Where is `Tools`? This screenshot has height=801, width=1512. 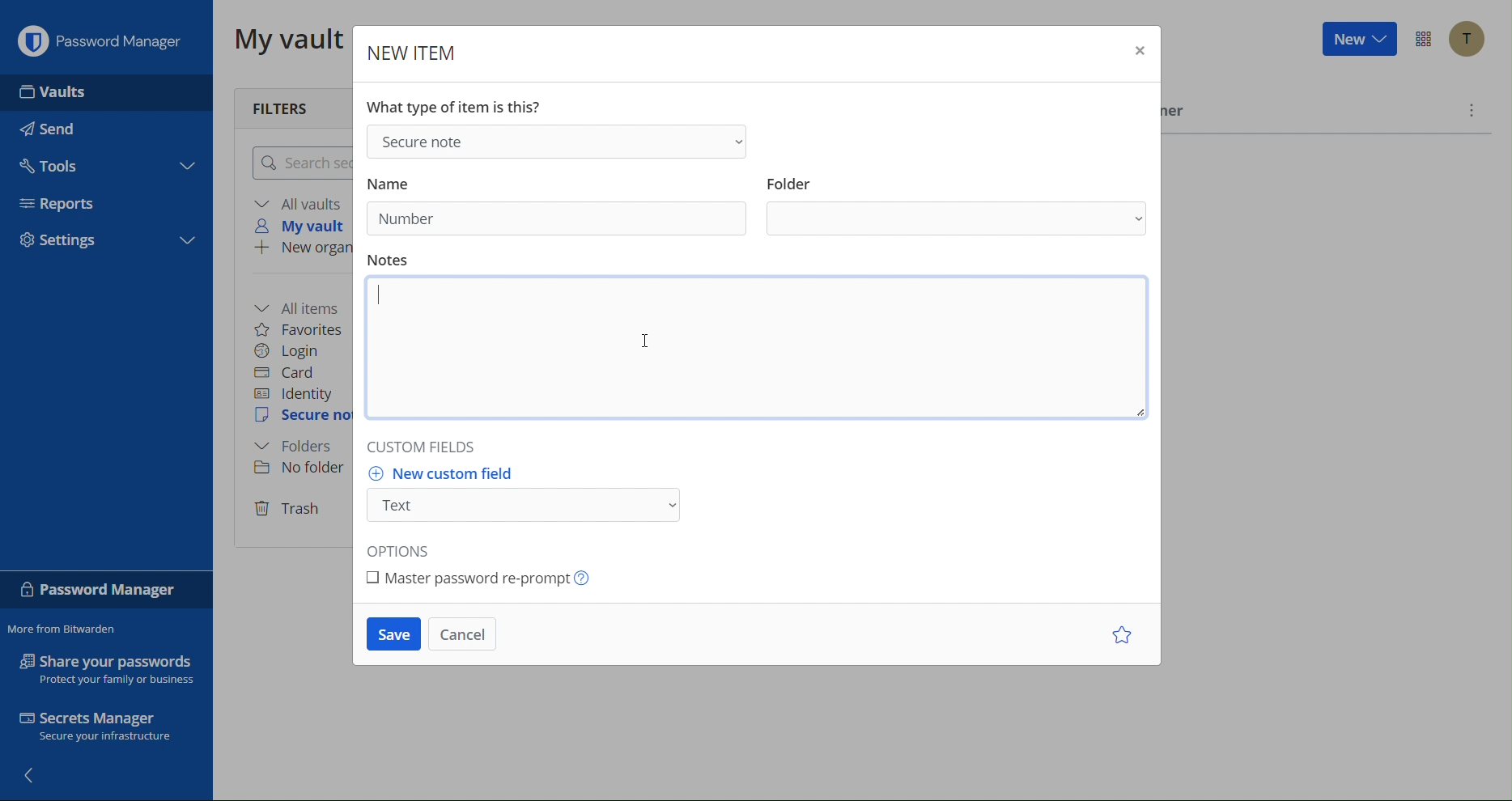 Tools is located at coordinates (55, 165).